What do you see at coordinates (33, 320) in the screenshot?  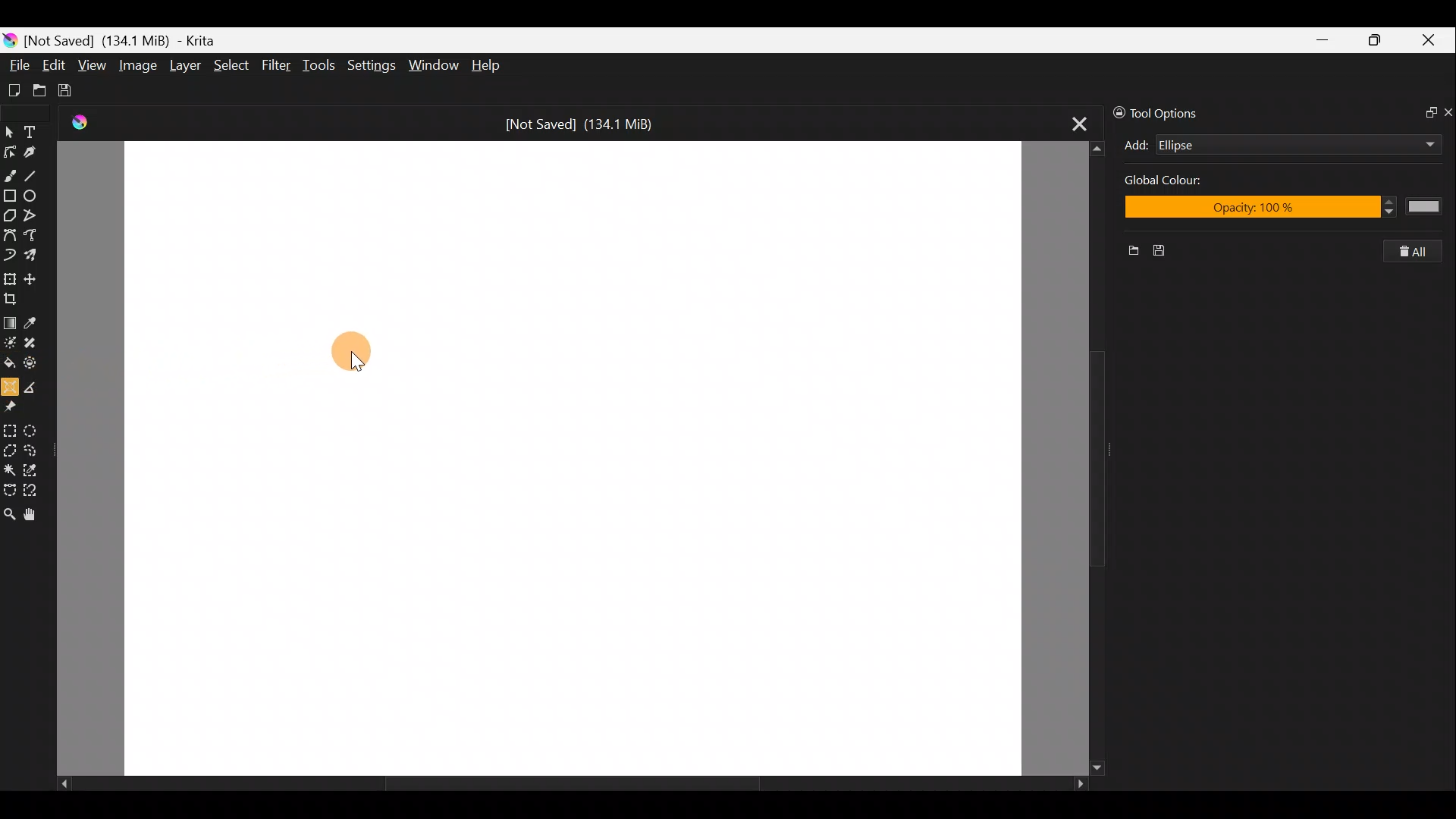 I see `Sample a colour from image/current layer` at bounding box center [33, 320].